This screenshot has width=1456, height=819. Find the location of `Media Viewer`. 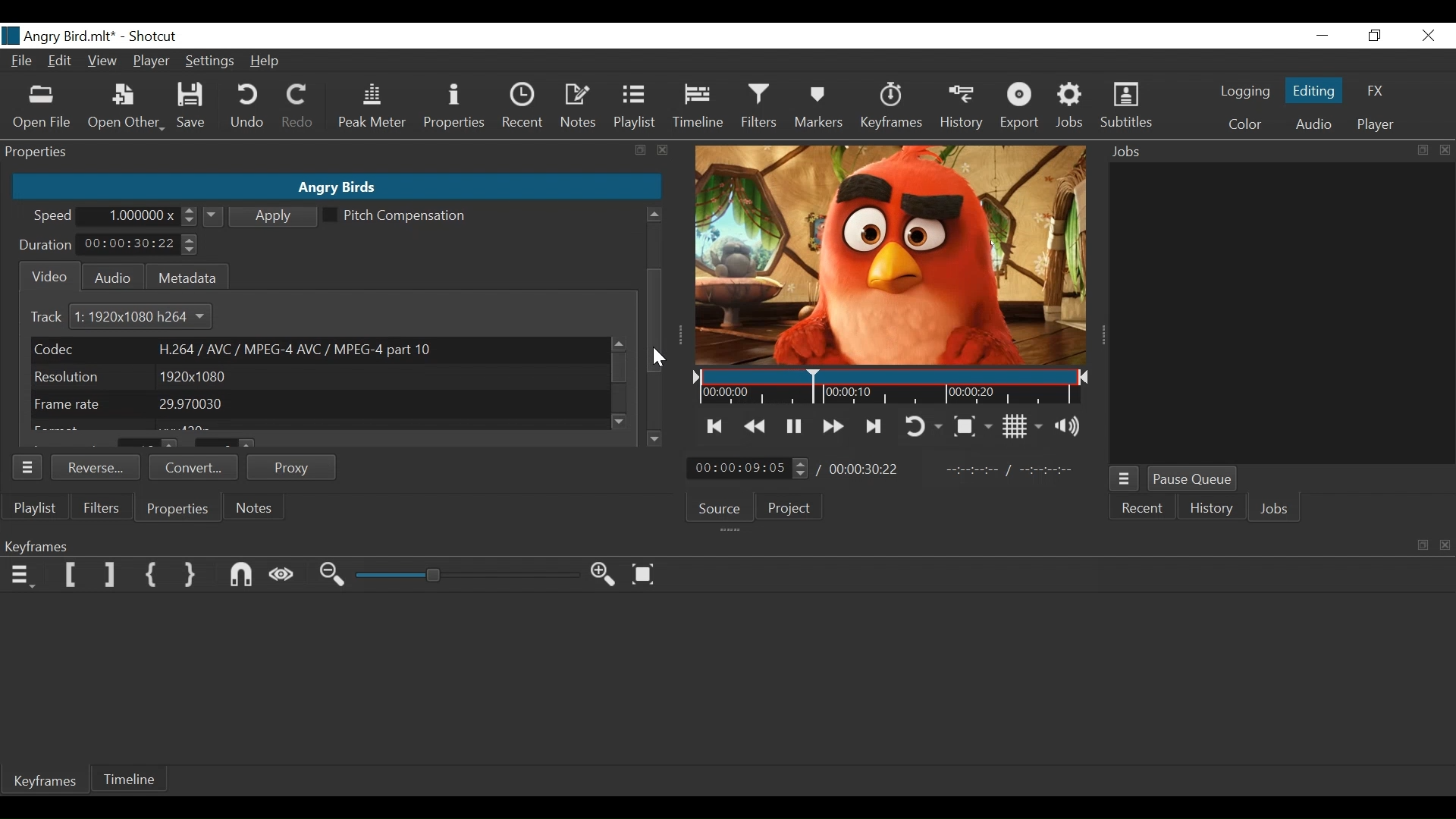

Media Viewer is located at coordinates (893, 256).